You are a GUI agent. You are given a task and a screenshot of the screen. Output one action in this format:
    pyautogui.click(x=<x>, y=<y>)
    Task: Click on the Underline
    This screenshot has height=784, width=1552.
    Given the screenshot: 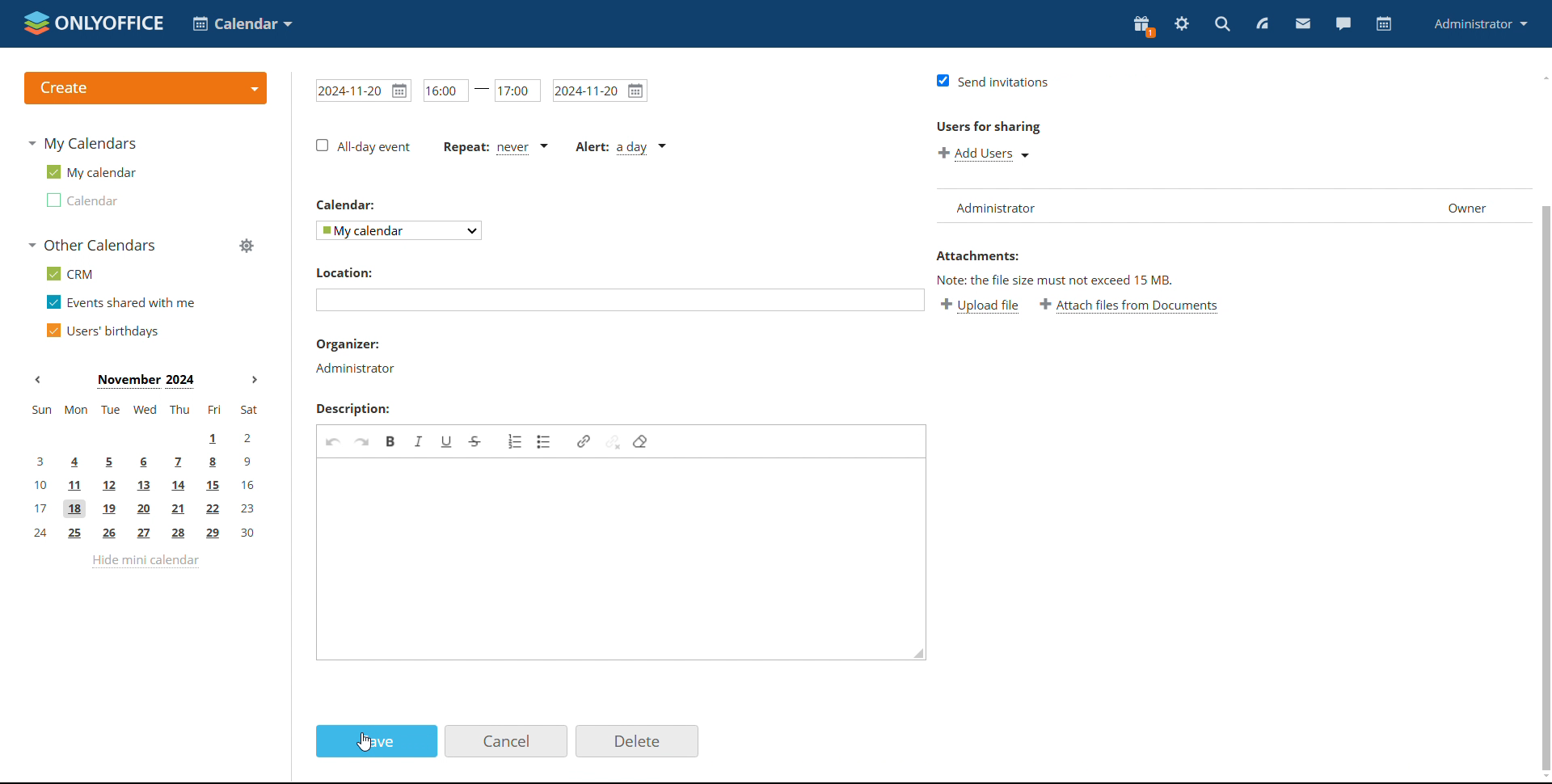 What is the action you would take?
    pyautogui.click(x=445, y=442)
    